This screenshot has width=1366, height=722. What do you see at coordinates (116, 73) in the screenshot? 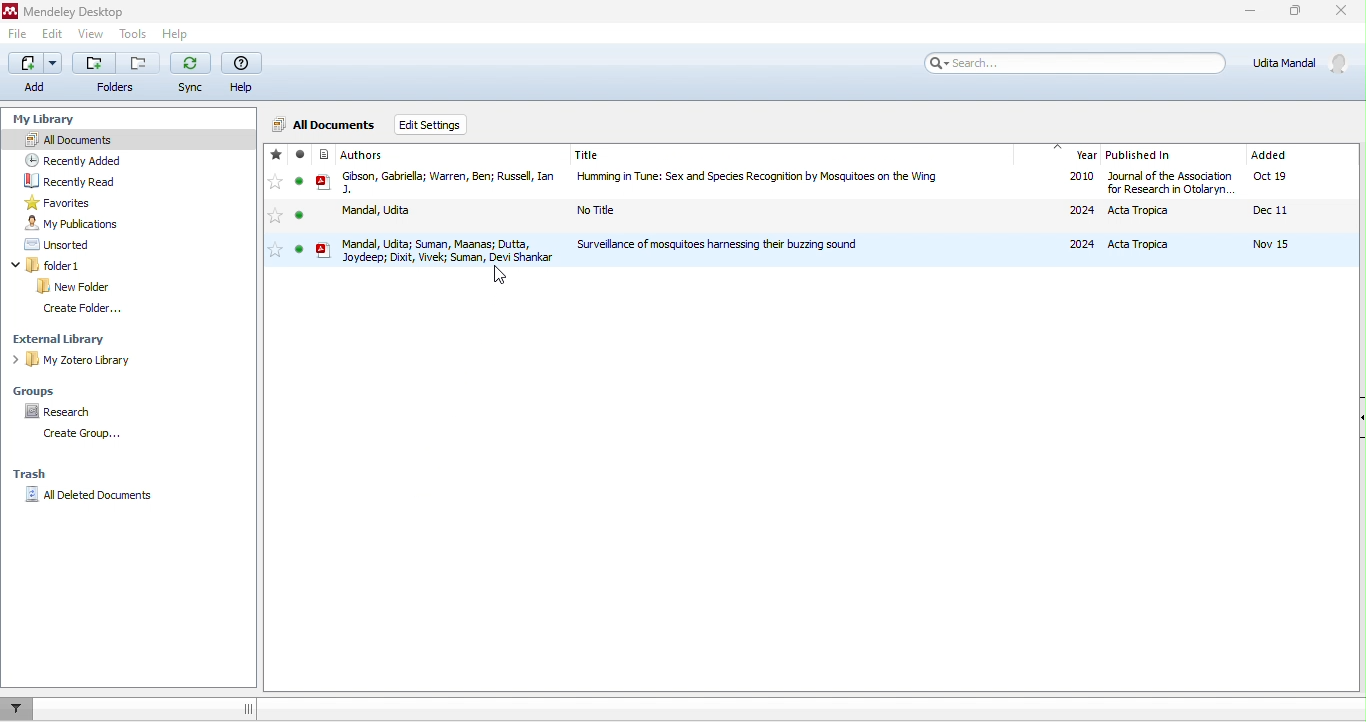
I see `folders` at bounding box center [116, 73].